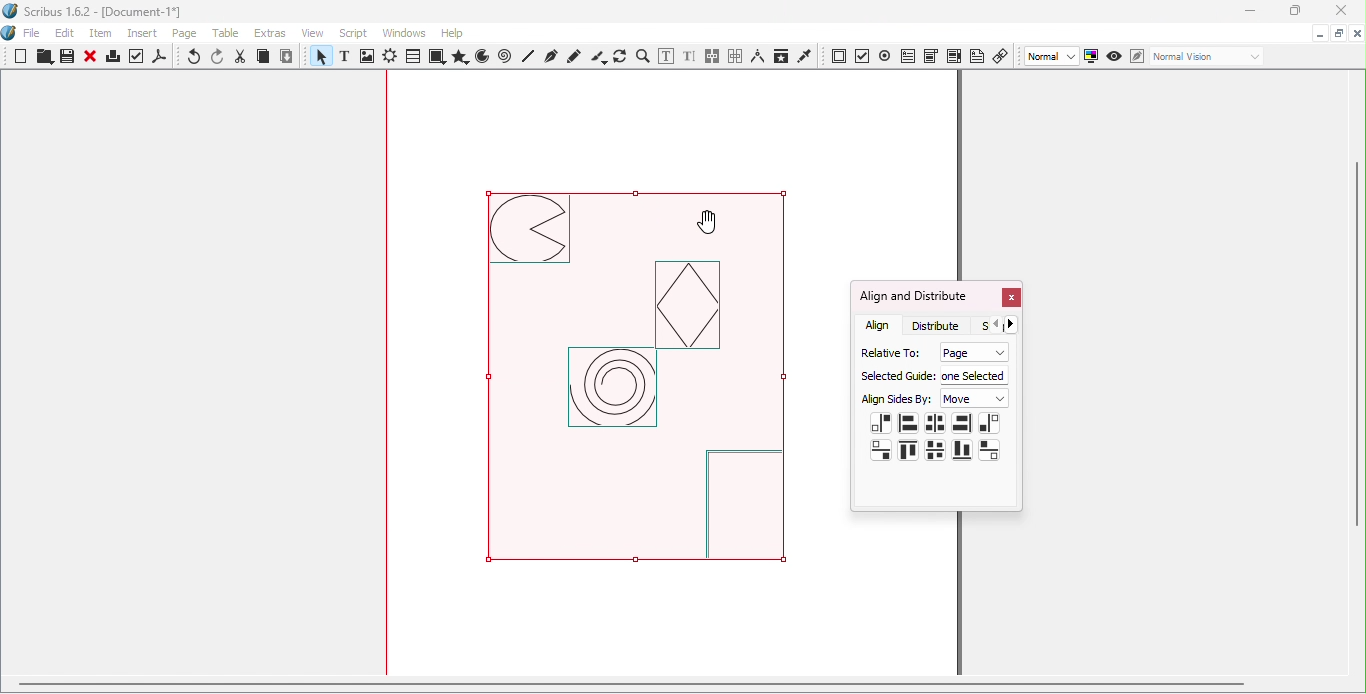  What do you see at coordinates (102, 34) in the screenshot?
I see `Item` at bounding box center [102, 34].